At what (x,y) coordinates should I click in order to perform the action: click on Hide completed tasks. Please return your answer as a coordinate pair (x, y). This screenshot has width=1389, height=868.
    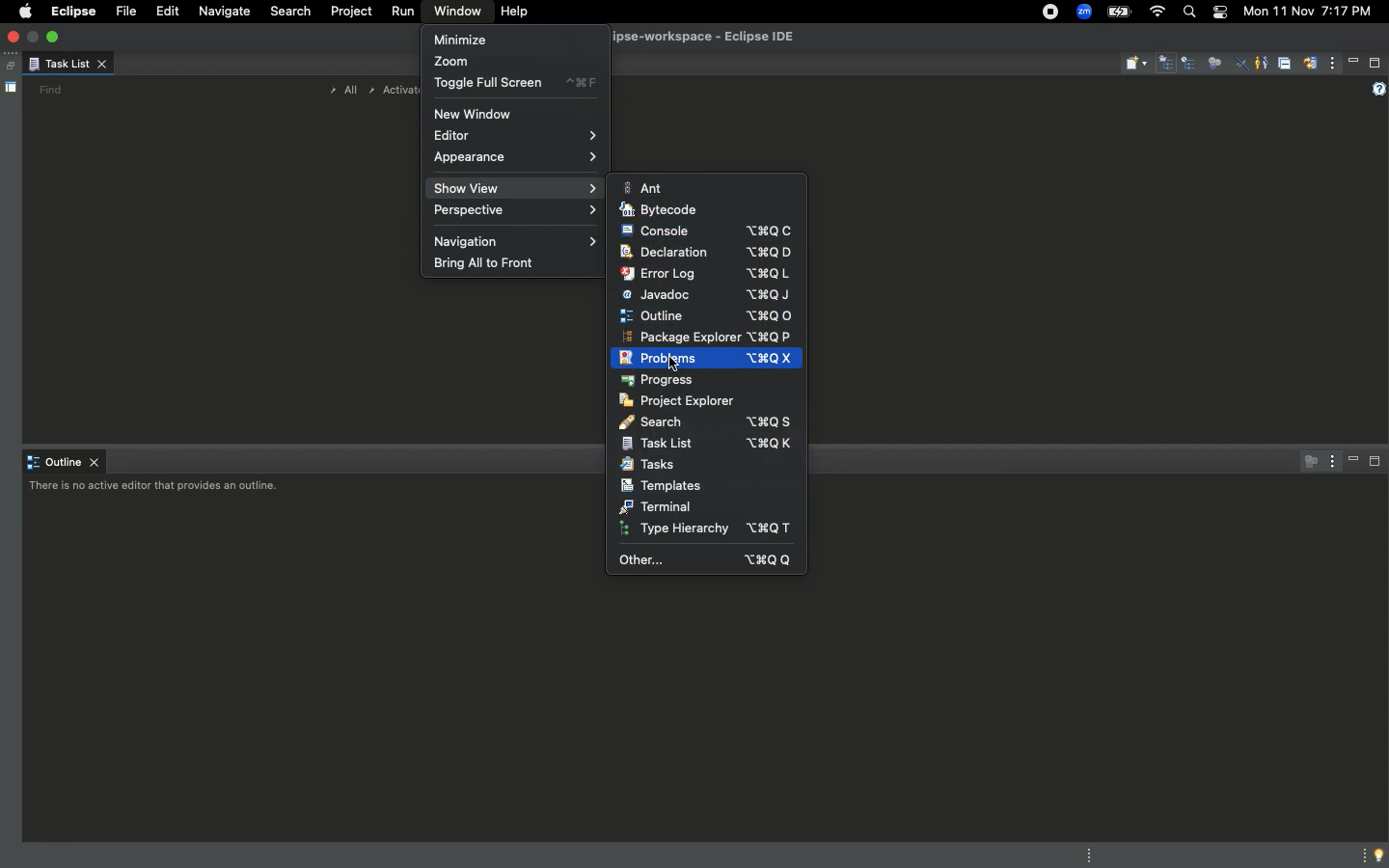
    Looking at the image, I should click on (1241, 66).